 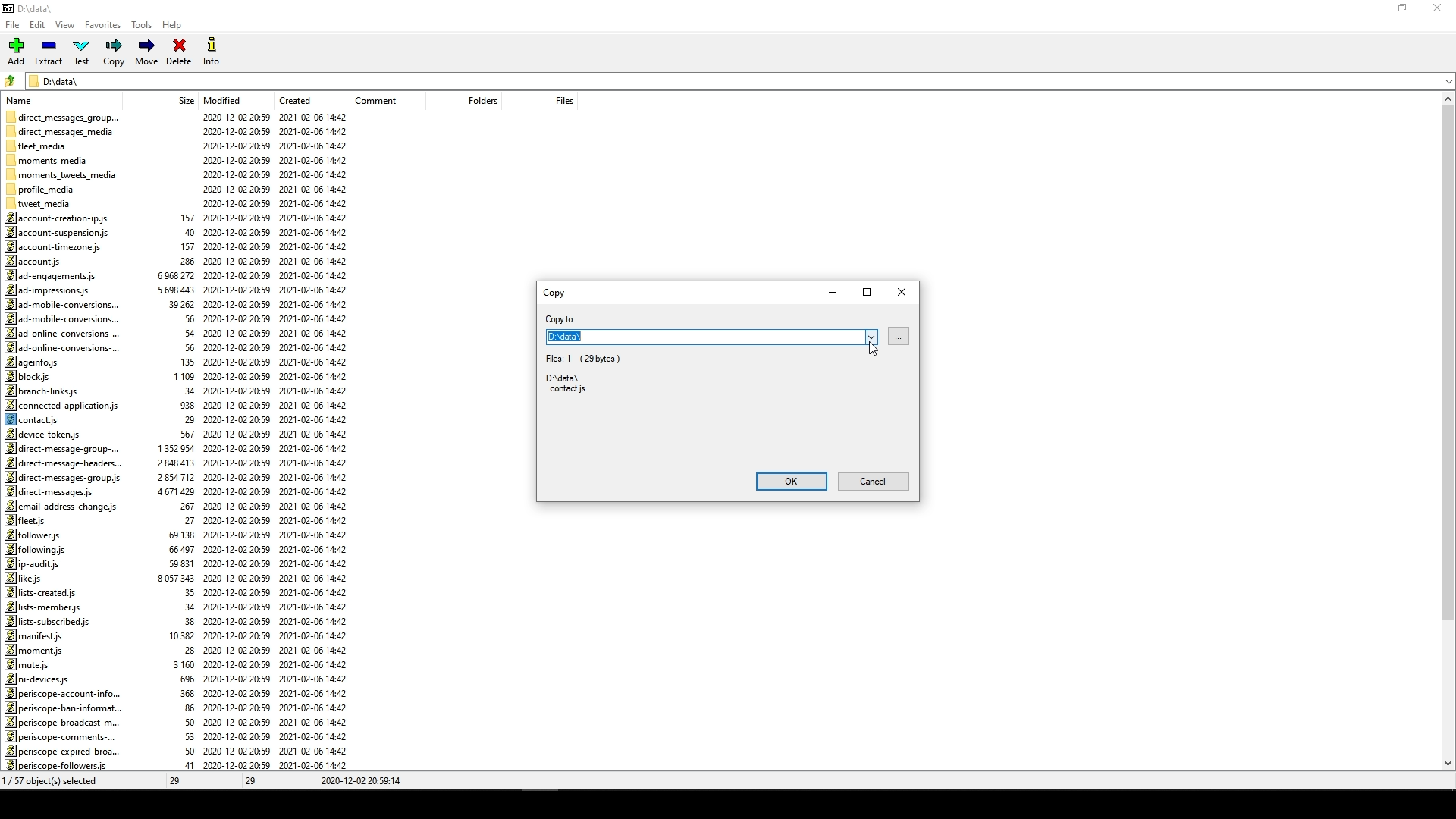 I want to click on periscope-comments, so click(x=59, y=737).